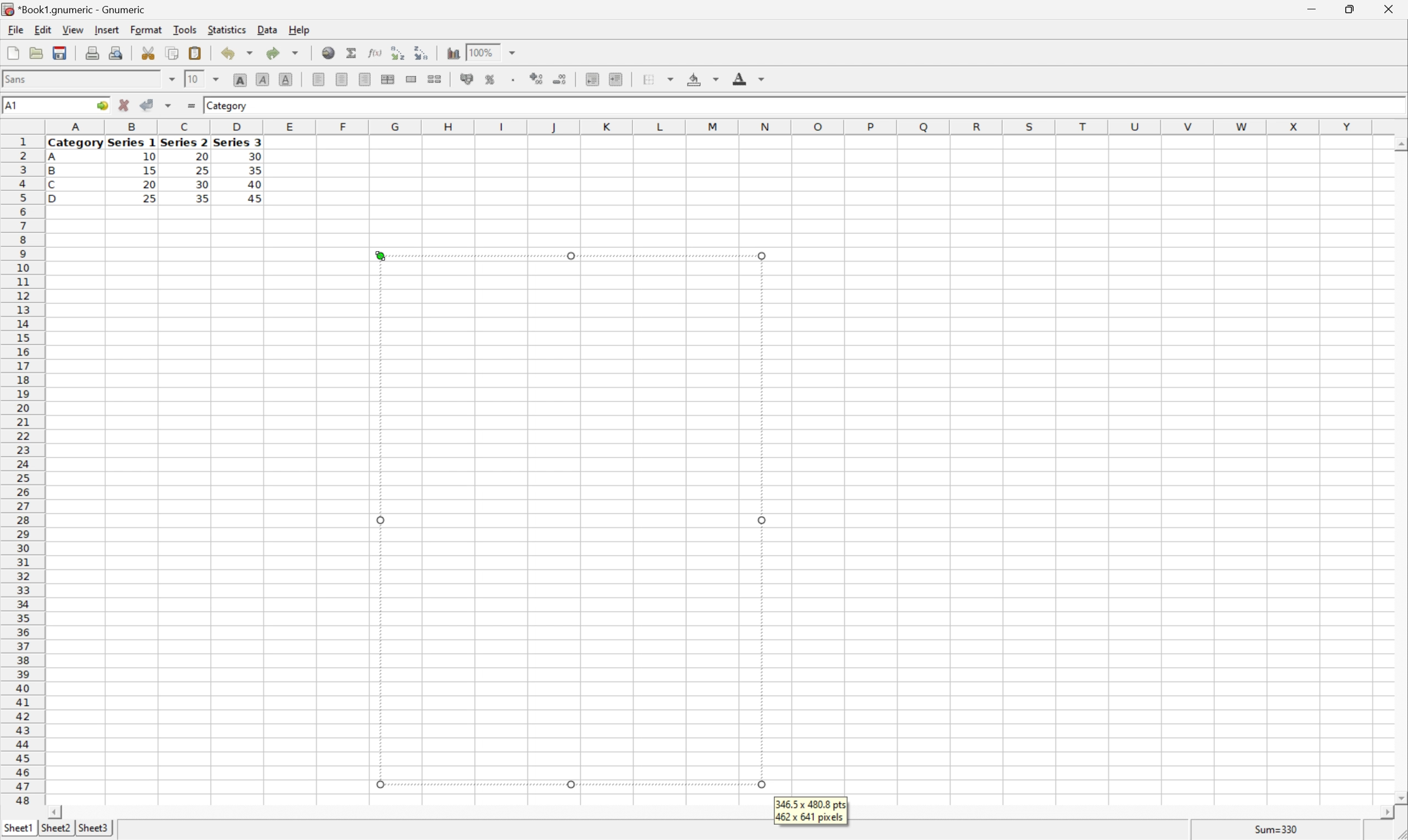  I want to click on Series 3, so click(238, 142).